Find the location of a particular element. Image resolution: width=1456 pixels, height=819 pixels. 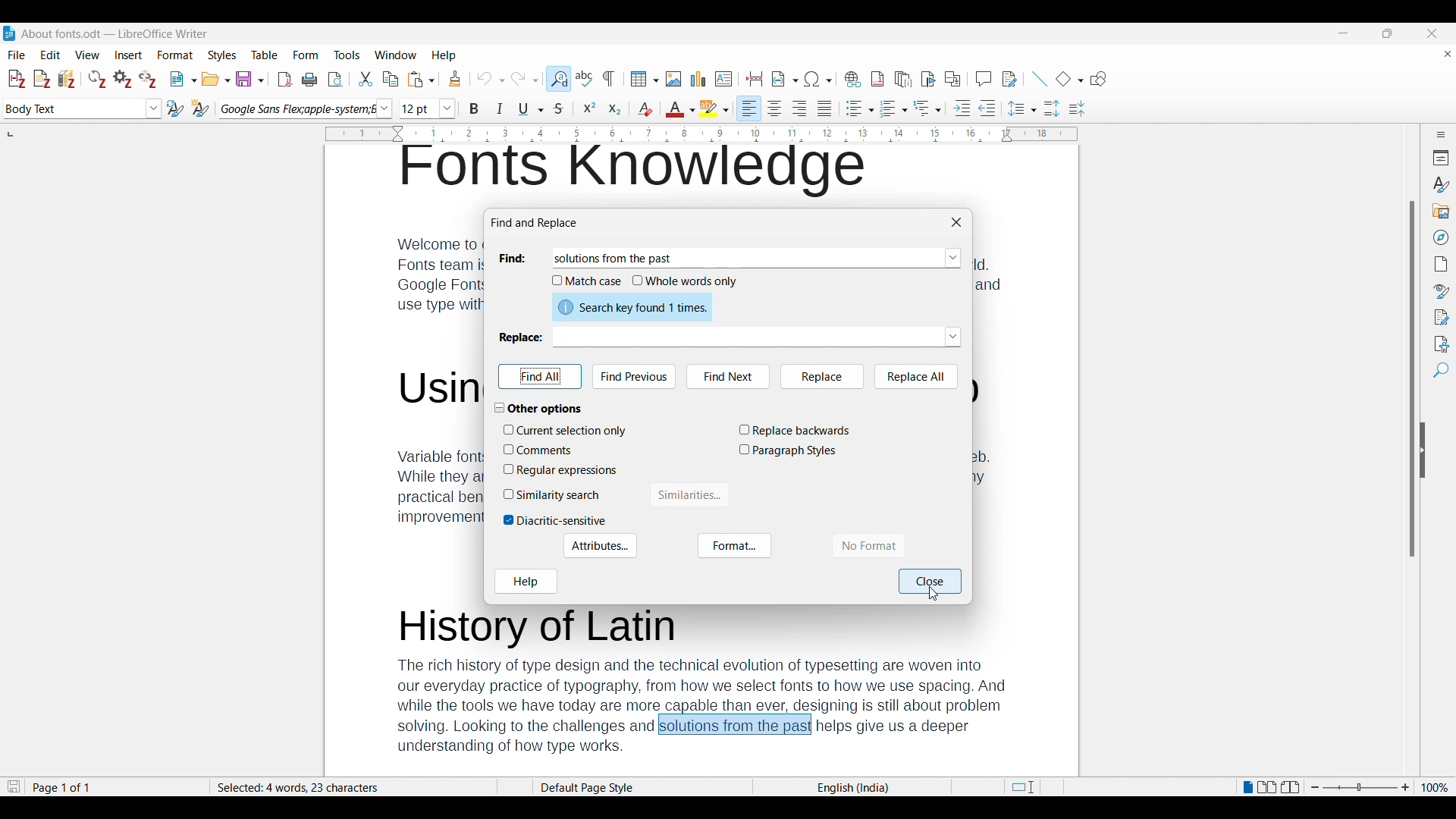

Attributes is located at coordinates (601, 546).